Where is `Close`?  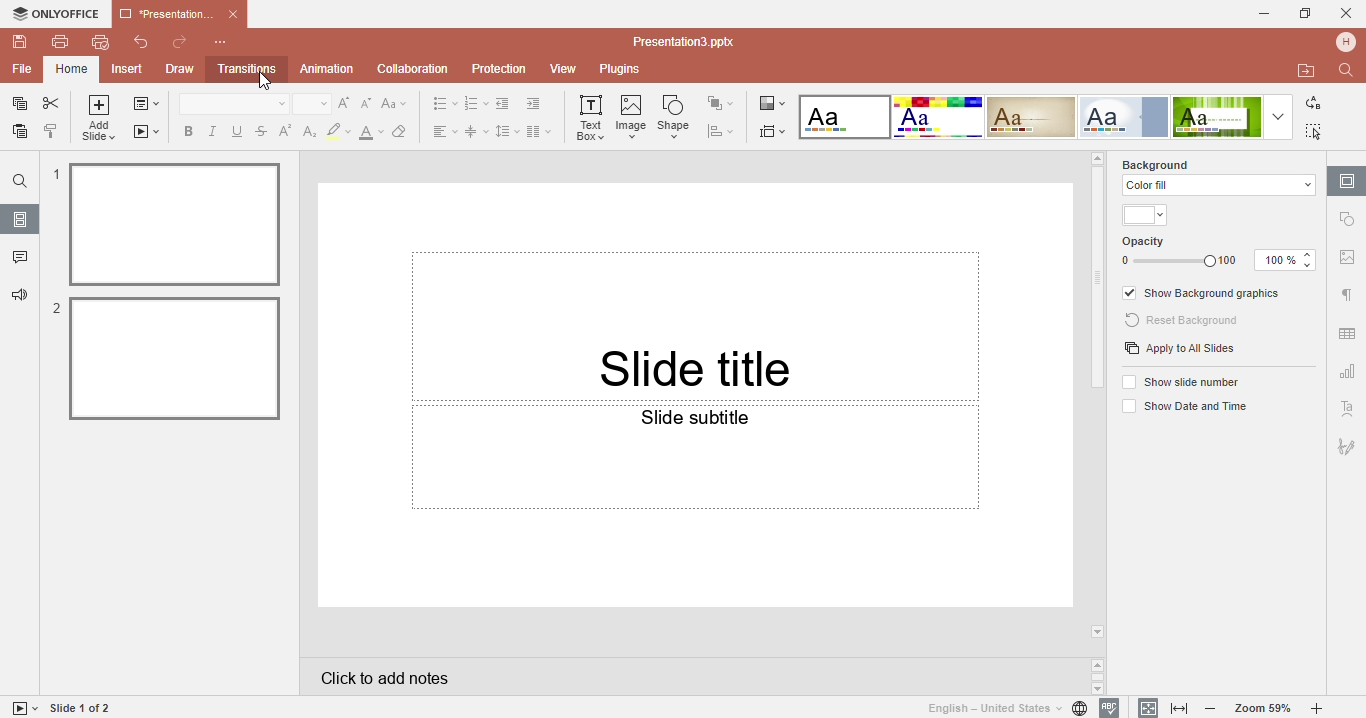
Close is located at coordinates (1347, 10).